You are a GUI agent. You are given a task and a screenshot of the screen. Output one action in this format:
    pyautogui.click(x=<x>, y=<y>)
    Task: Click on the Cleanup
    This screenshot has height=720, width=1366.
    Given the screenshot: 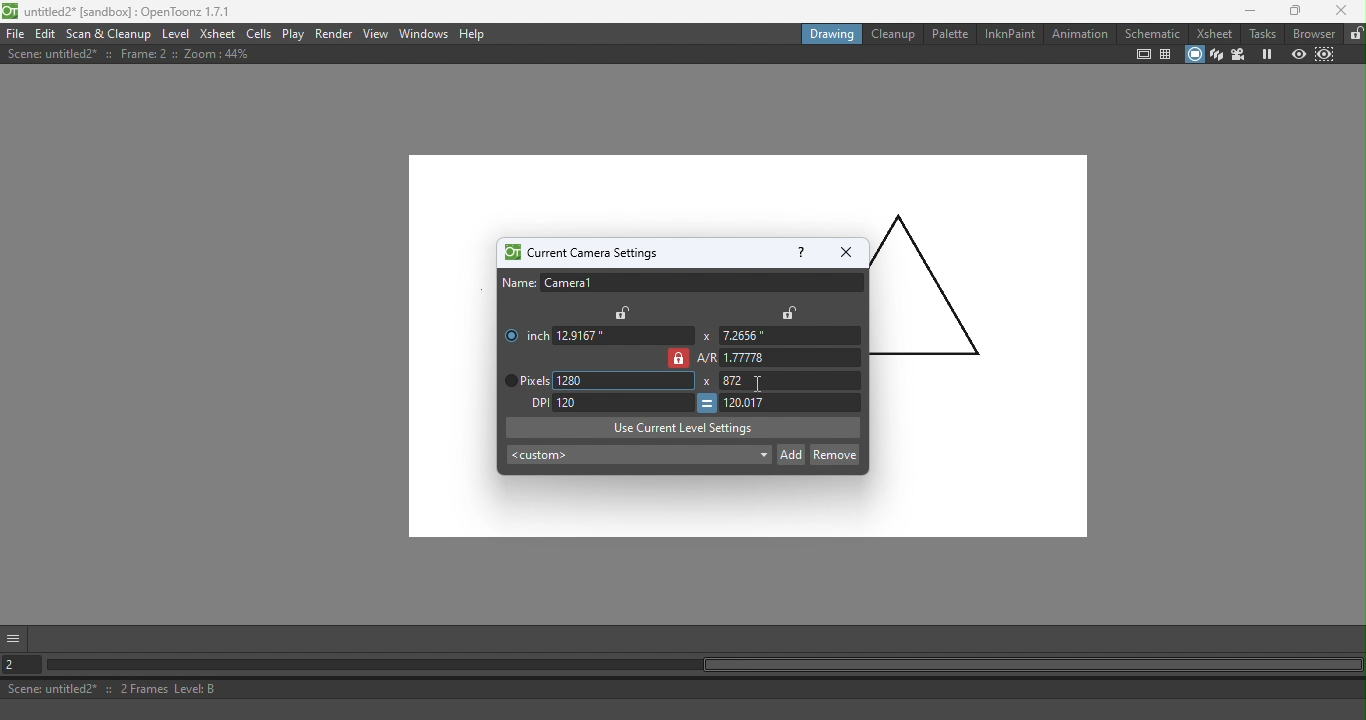 What is the action you would take?
    pyautogui.click(x=891, y=33)
    